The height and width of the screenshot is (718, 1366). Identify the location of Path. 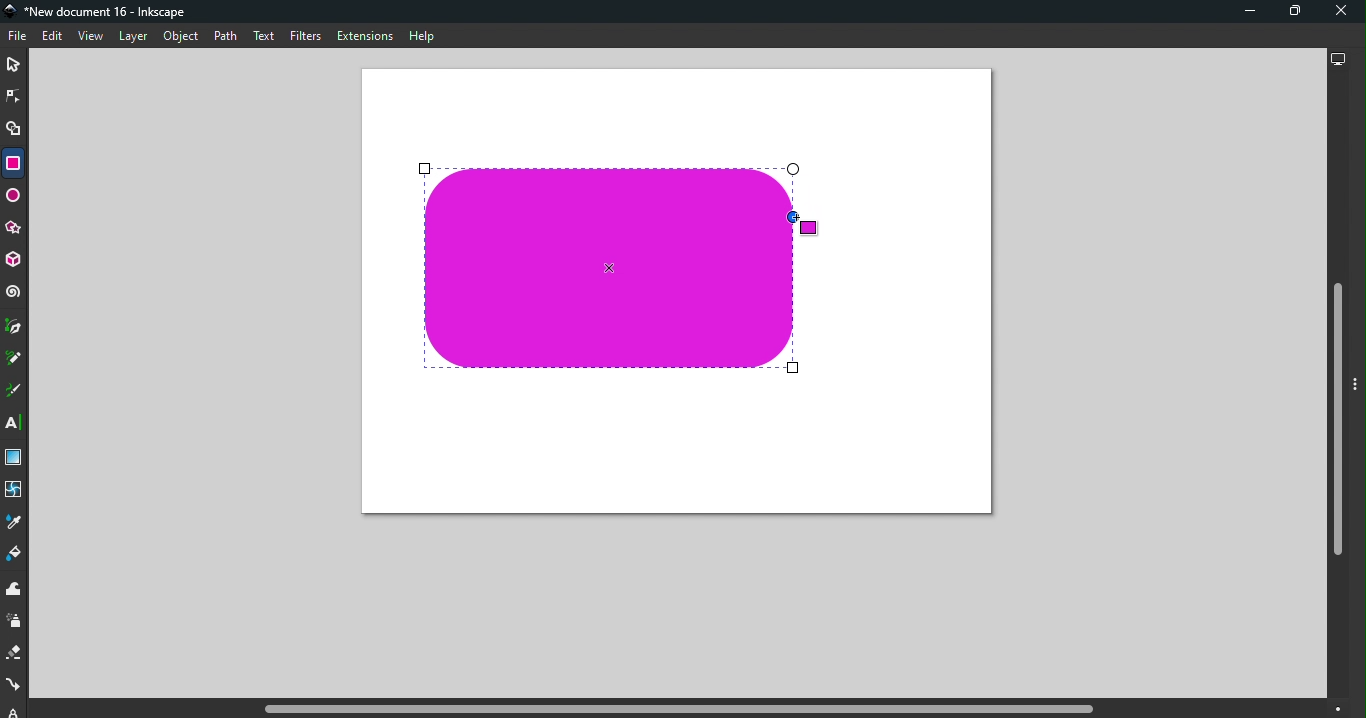
(225, 38).